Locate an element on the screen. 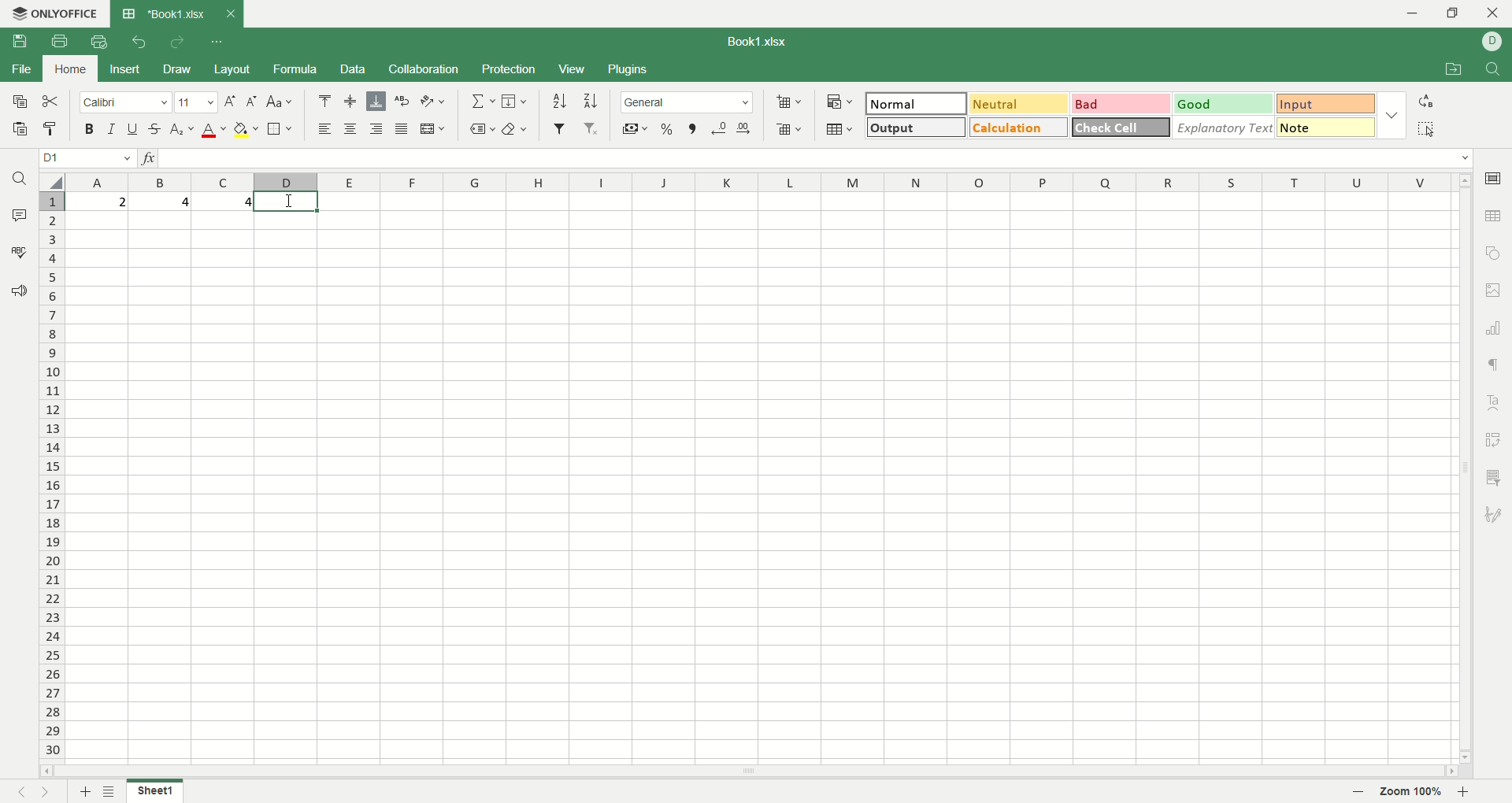  subscript/superscript is located at coordinates (182, 130).